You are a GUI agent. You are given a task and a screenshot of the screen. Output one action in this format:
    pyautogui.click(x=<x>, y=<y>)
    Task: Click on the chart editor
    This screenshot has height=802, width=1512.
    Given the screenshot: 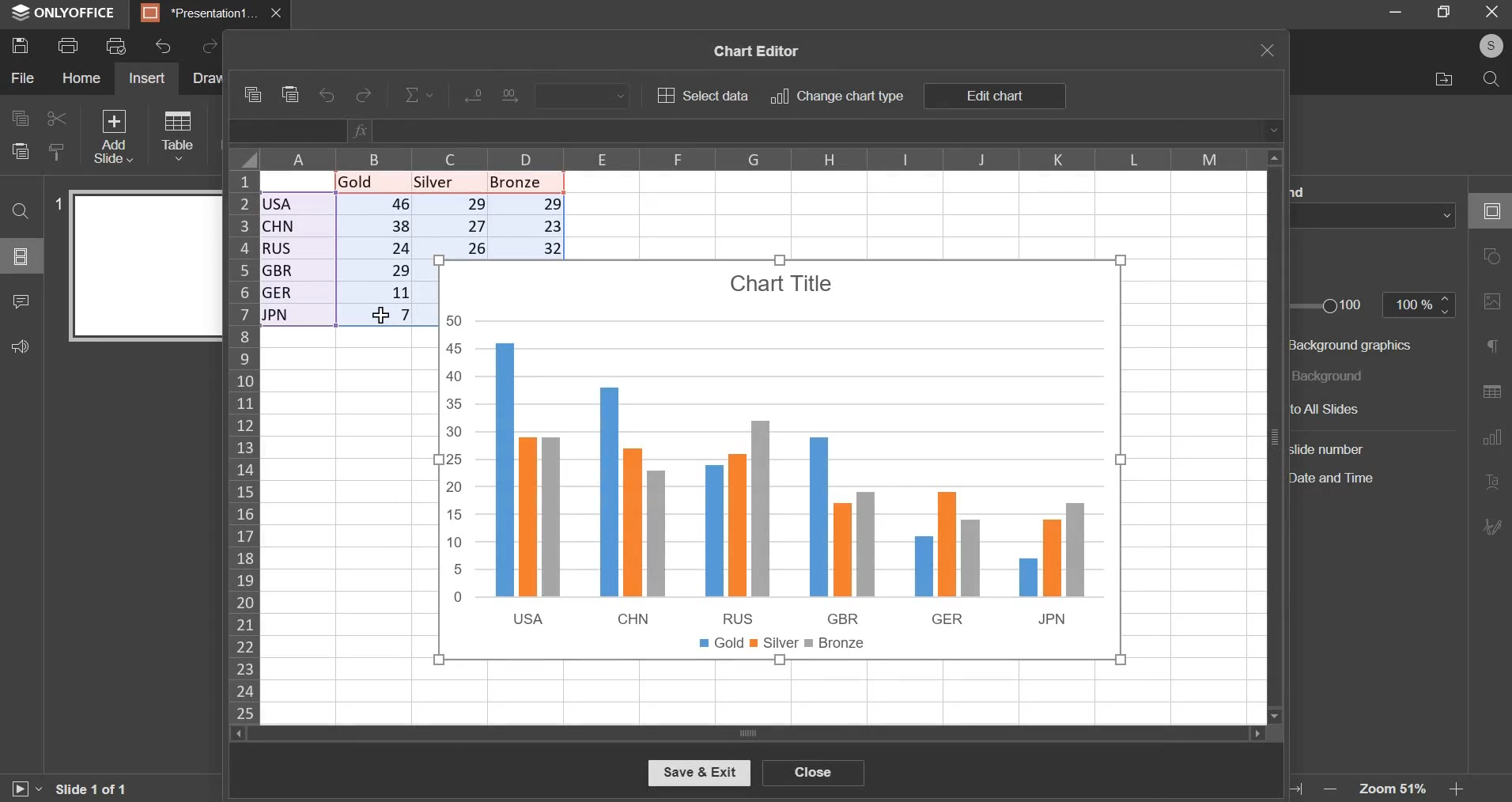 What is the action you would take?
    pyautogui.click(x=753, y=48)
    